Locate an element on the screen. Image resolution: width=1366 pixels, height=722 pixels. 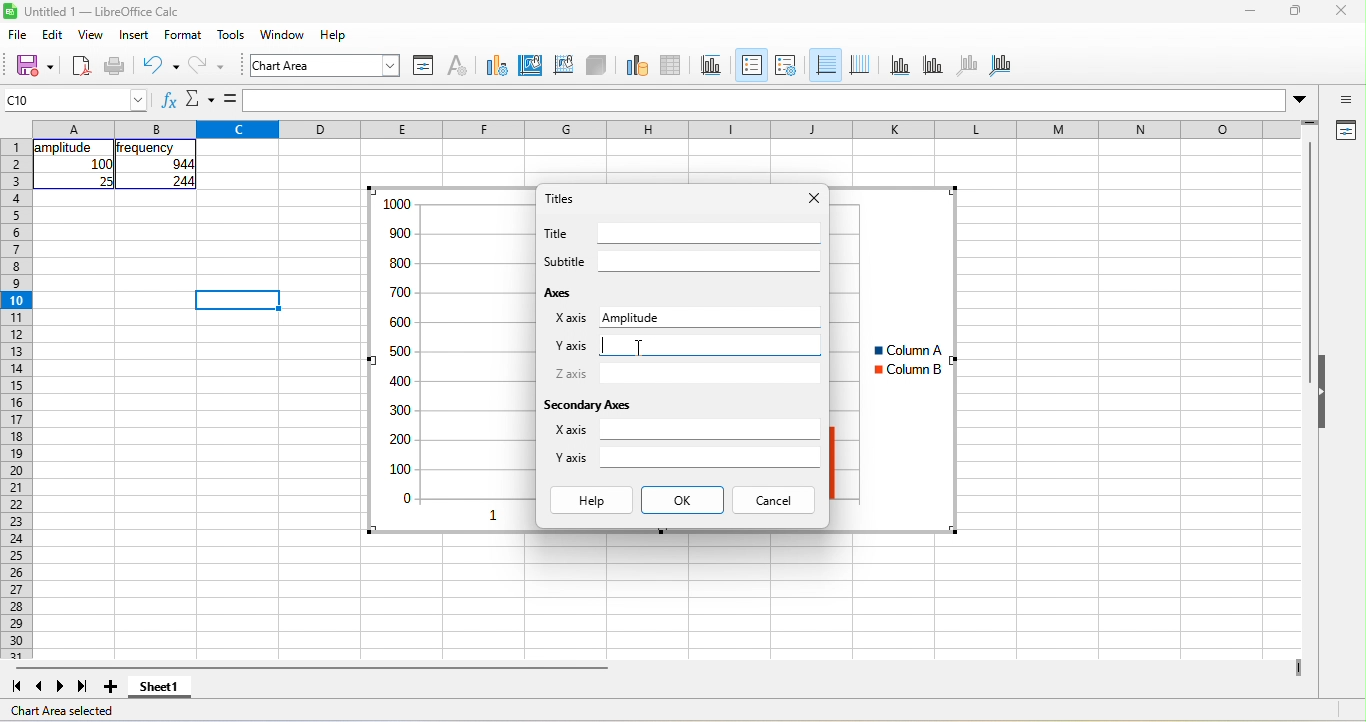
data range is located at coordinates (637, 66).